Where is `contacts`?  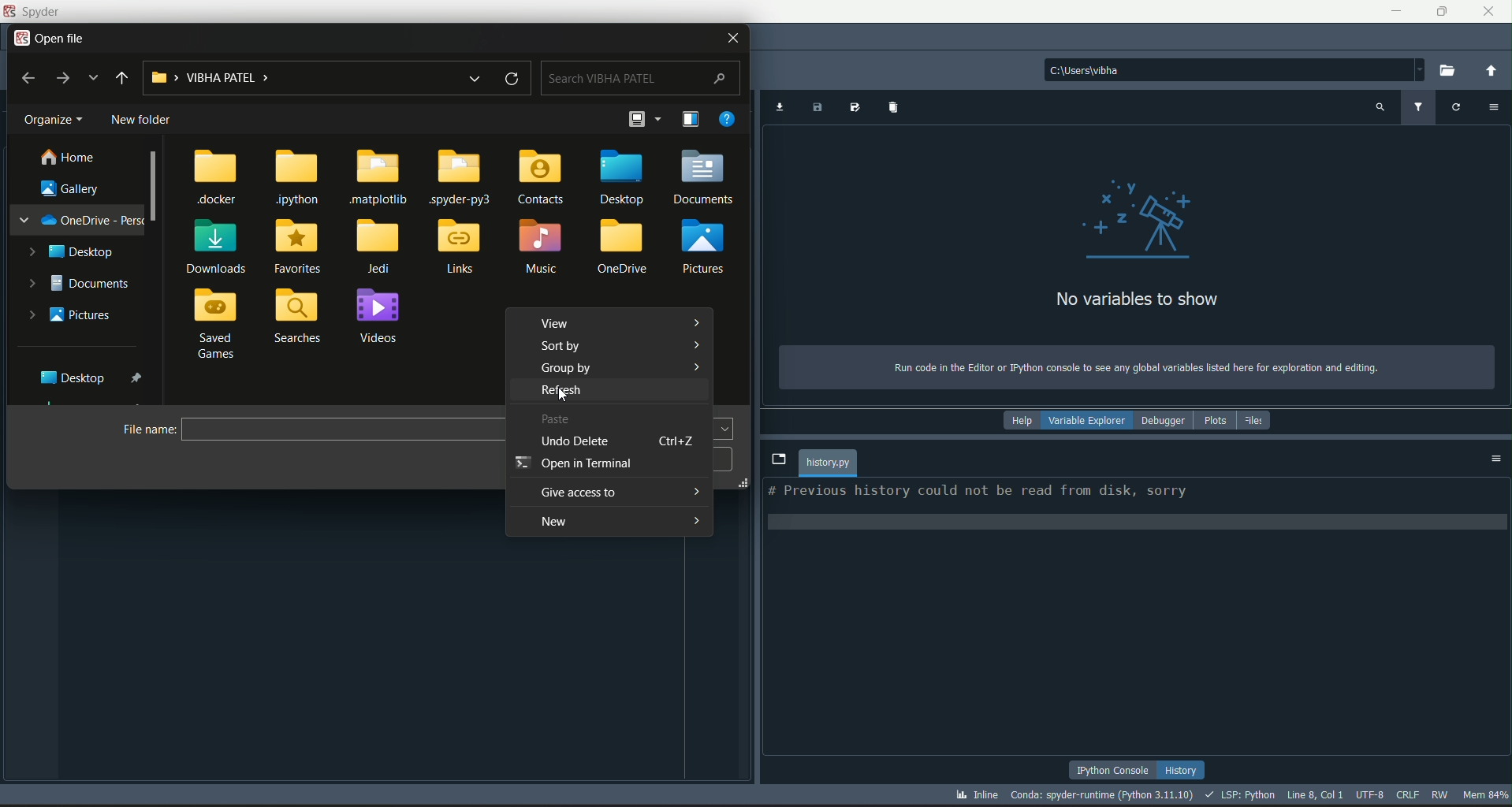
contacts is located at coordinates (541, 177).